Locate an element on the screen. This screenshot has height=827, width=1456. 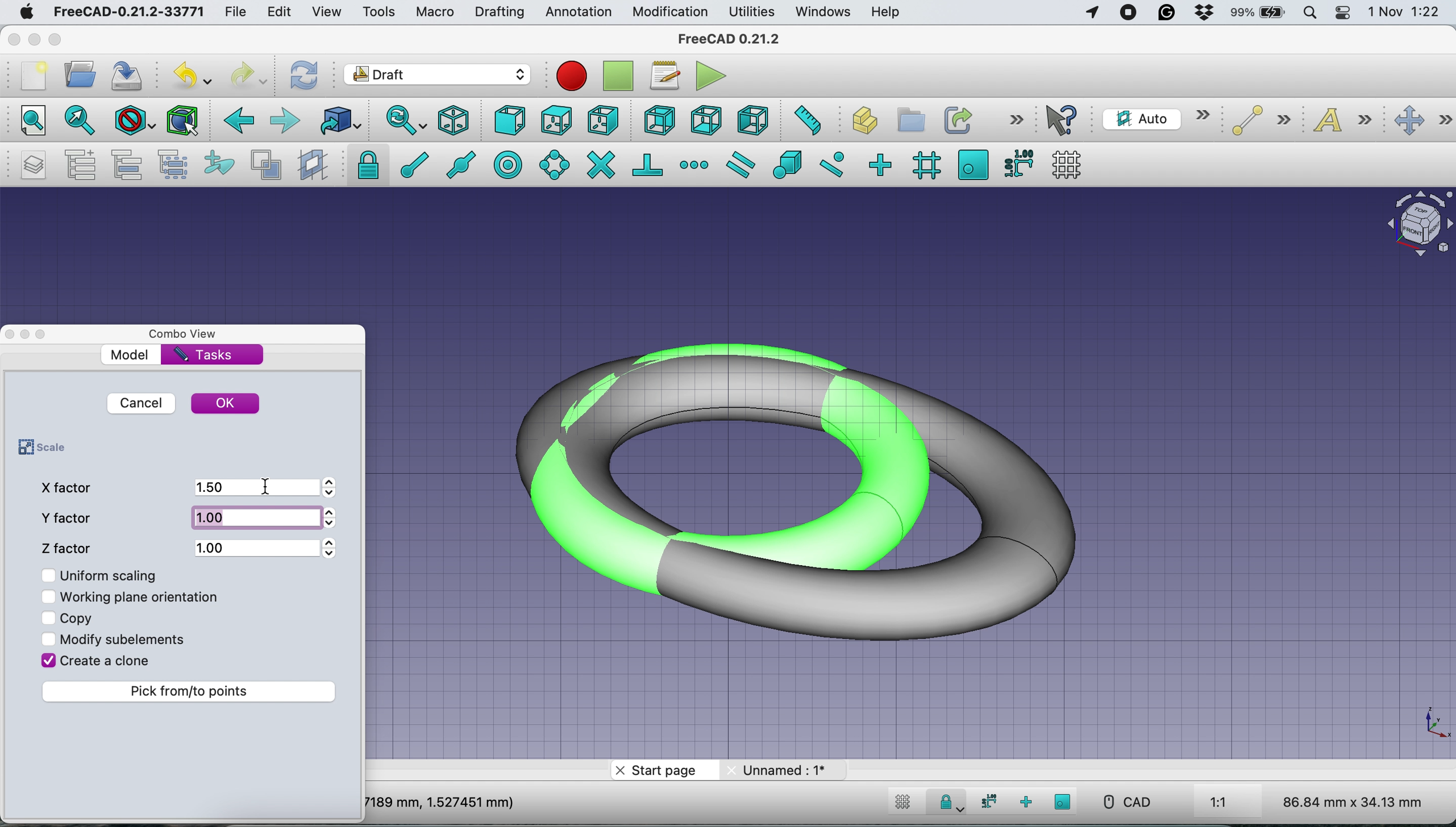
redo is located at coordinates (248, 76).